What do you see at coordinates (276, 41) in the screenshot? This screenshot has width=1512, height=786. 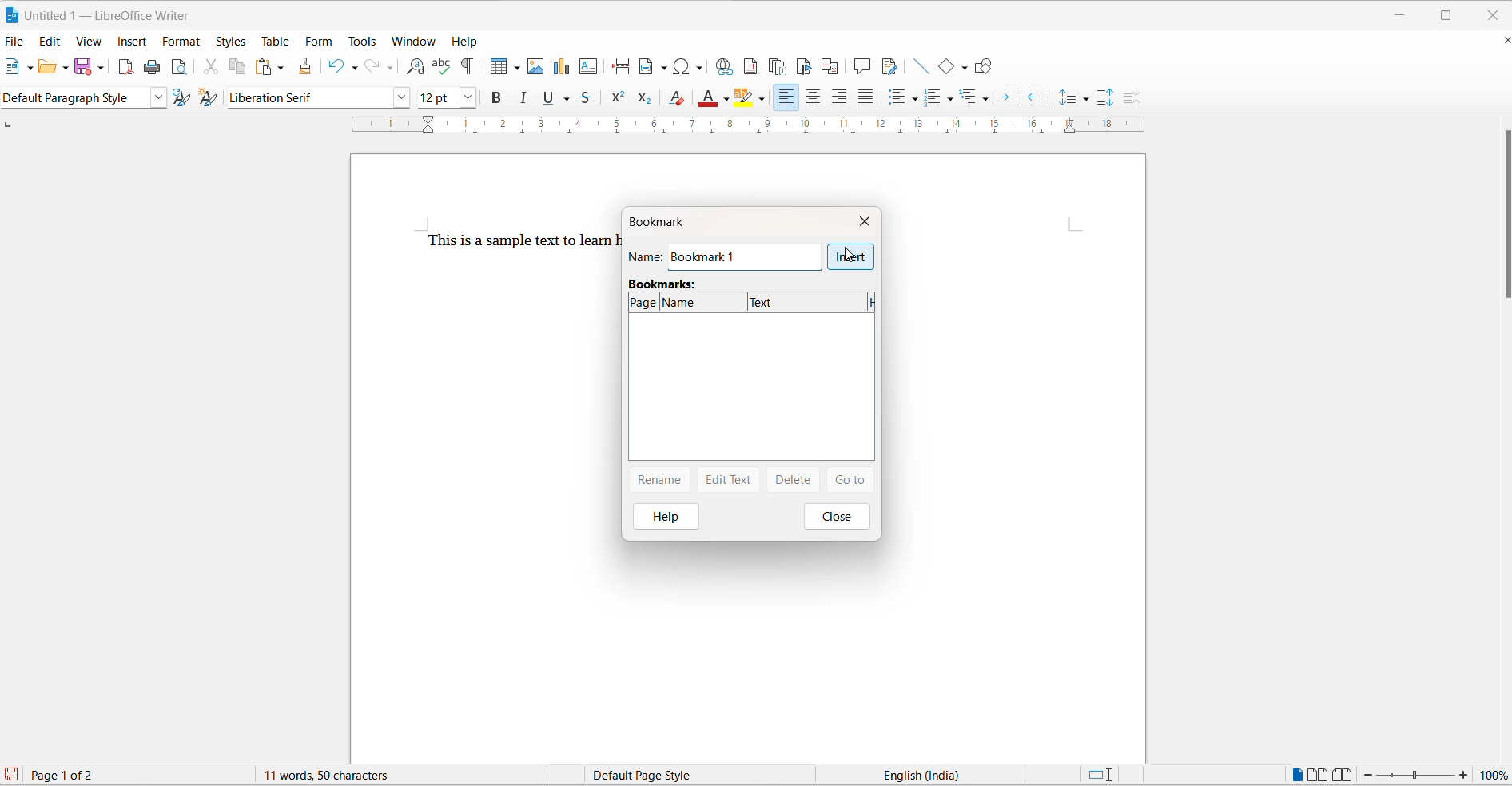 I see `table` at bounding box center [276, 41].